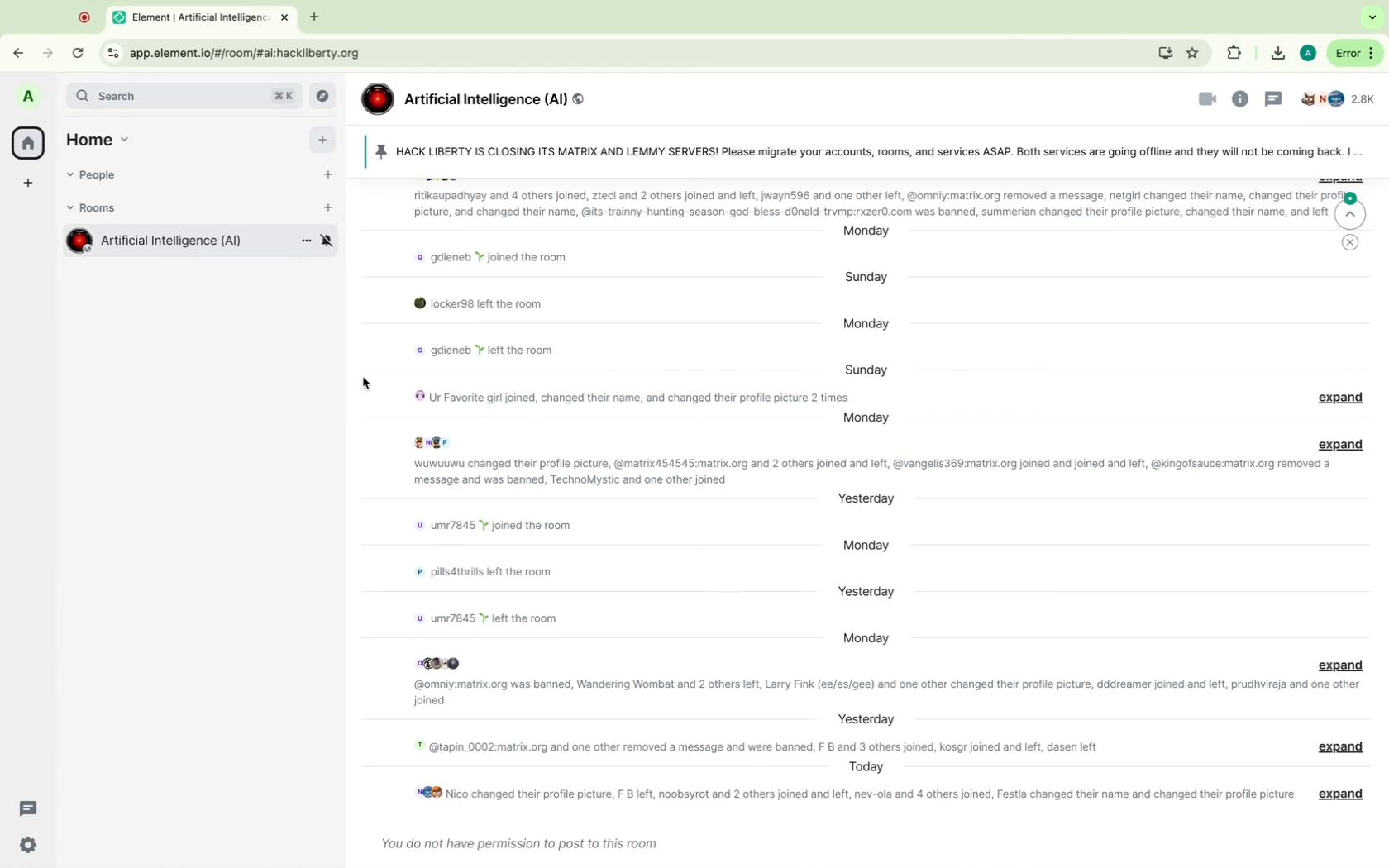 The height and width of the screenshot is (868, 1389). Describe the element at coordinates (756, 747) in the screenshot. I see `message` at that location.